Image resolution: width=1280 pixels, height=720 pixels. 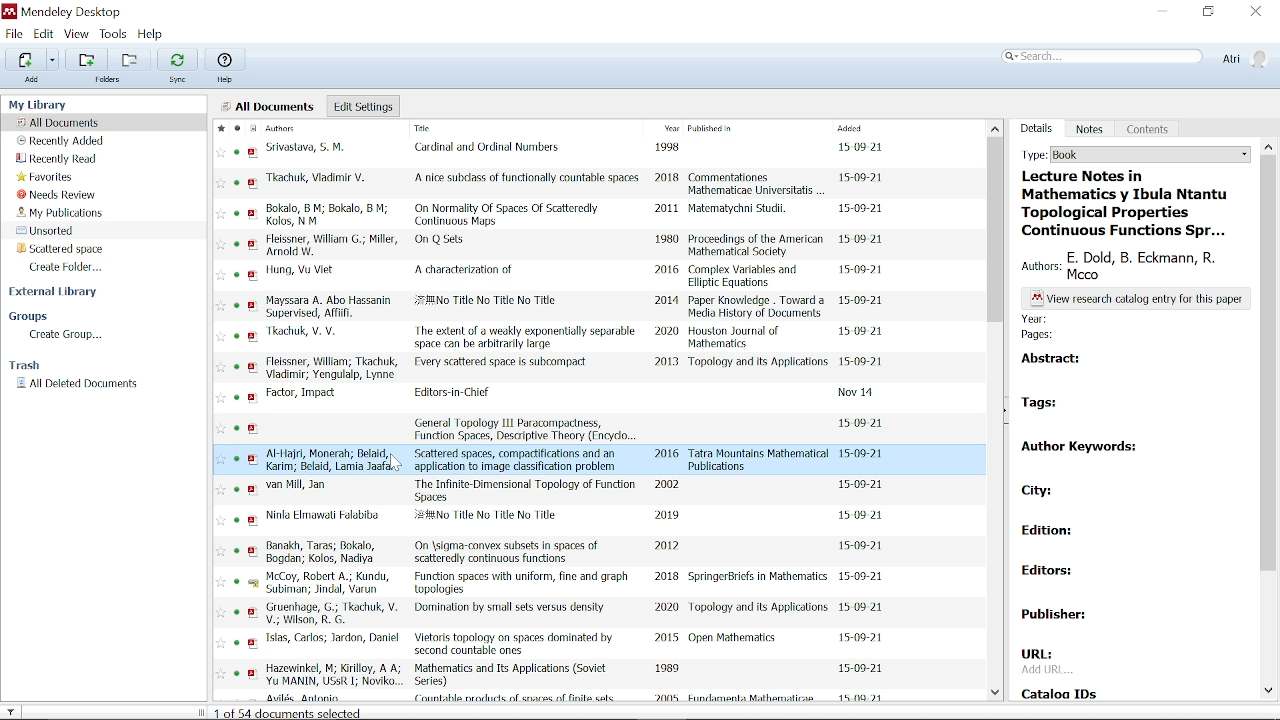 What do you see at coordinates (759, 607) in the screenshot?
I see `Topology and its Applications` at bounding box center [759, 607].